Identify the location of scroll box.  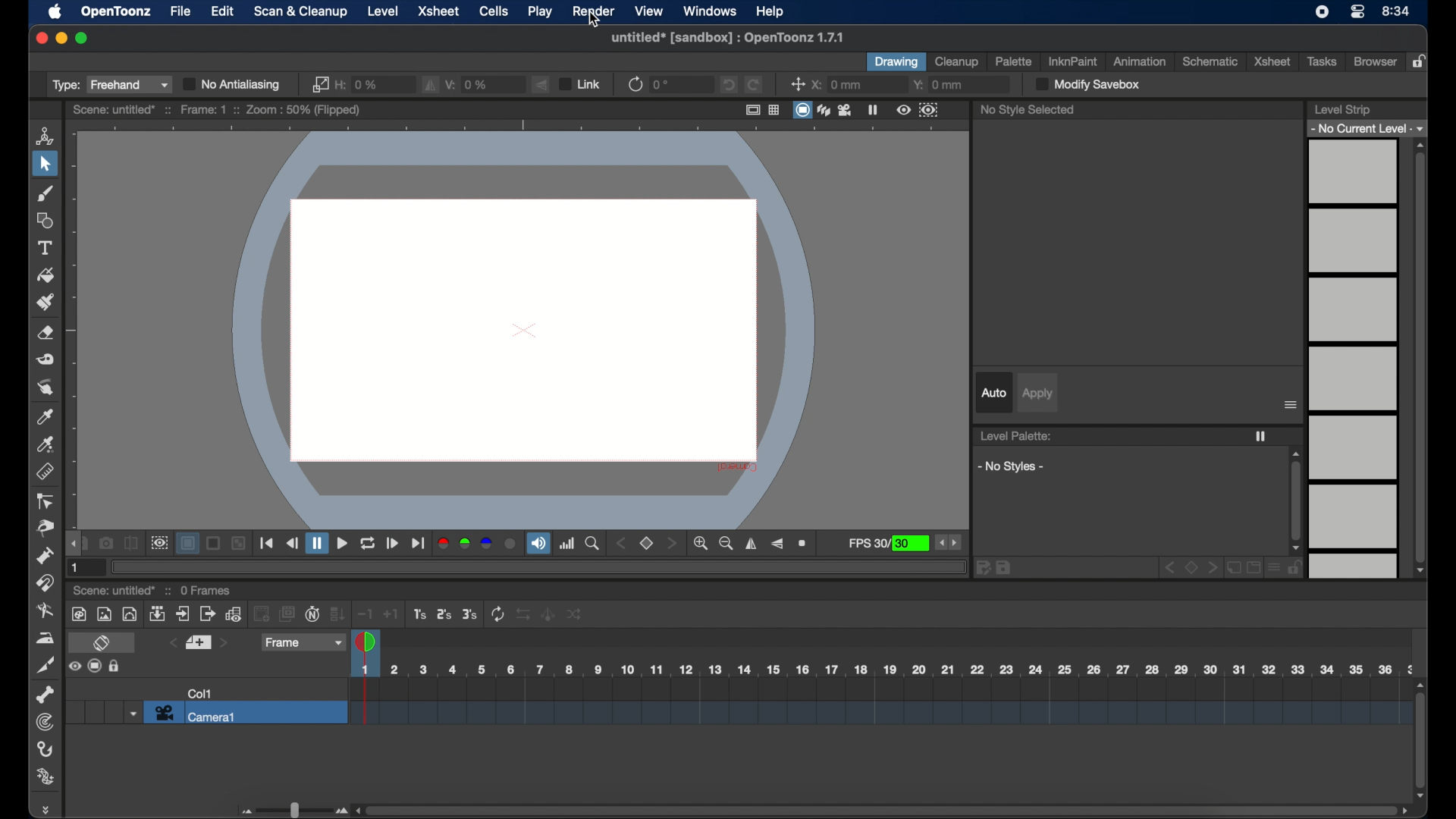
(883, 809).